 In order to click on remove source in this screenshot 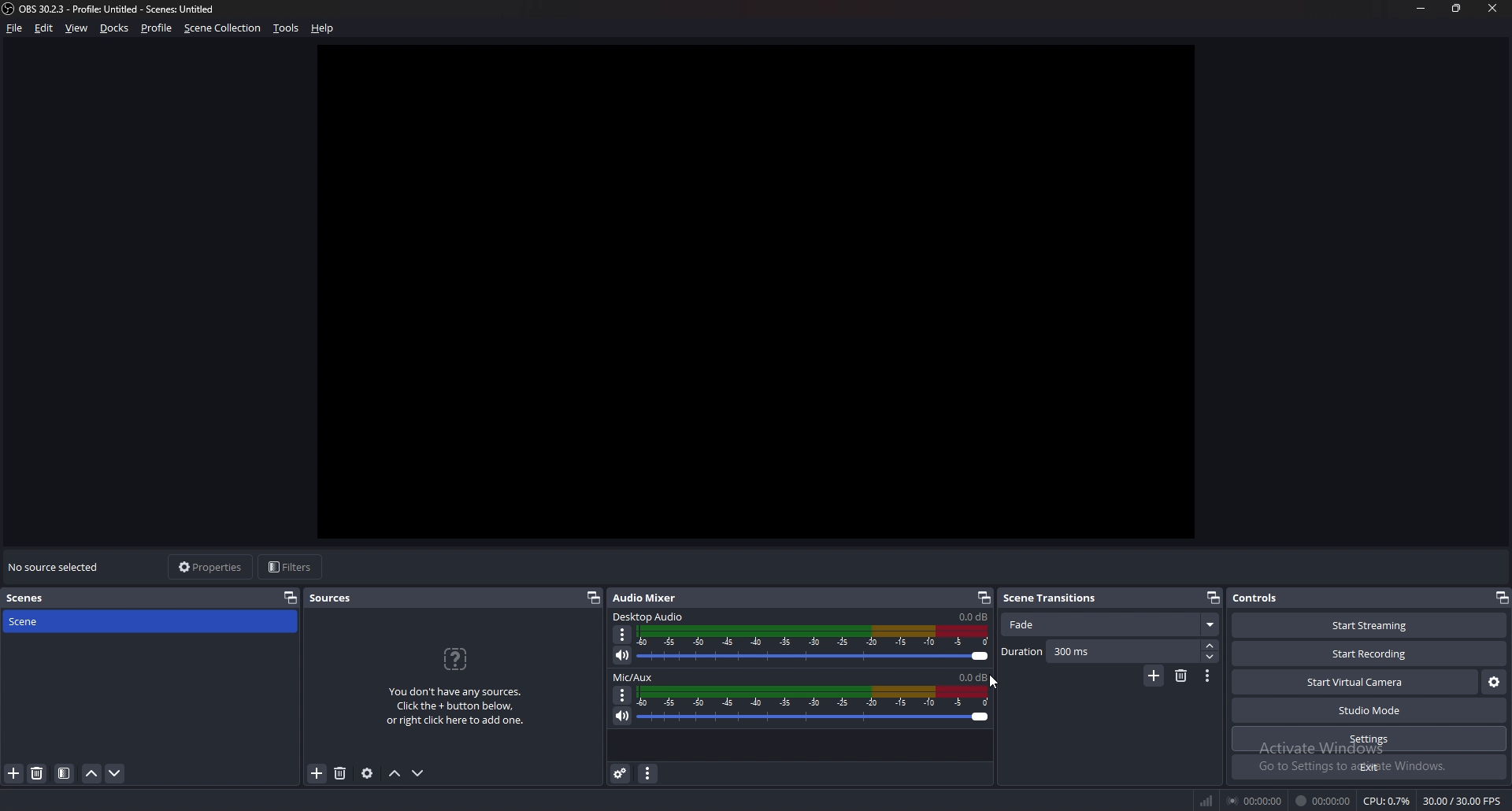, I will do `click(340, 773)`.